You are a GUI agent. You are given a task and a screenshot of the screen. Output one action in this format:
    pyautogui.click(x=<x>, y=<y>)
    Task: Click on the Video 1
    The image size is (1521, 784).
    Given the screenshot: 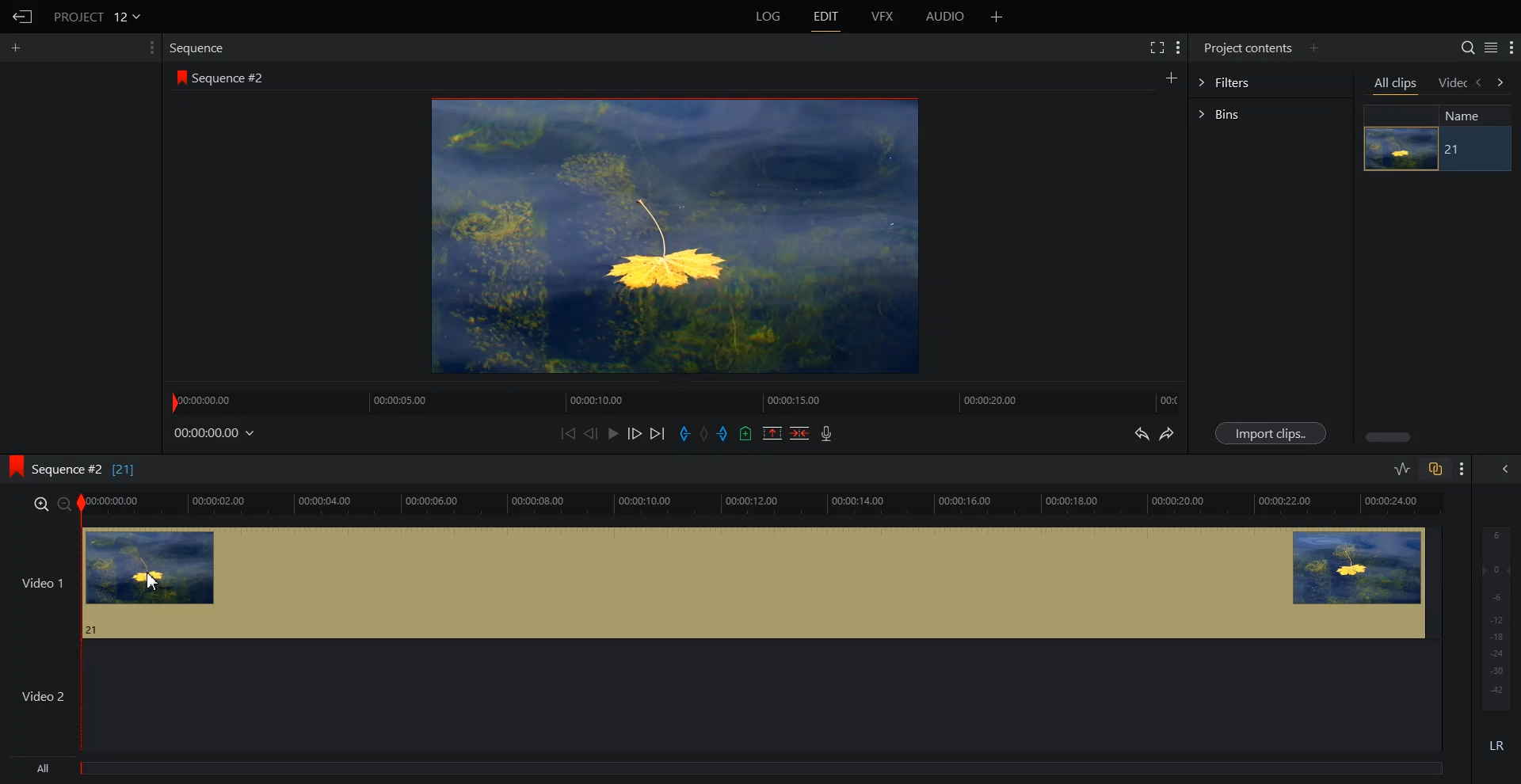 What is the action you would take?
    pyautogui.click(x=40, y=584)
    